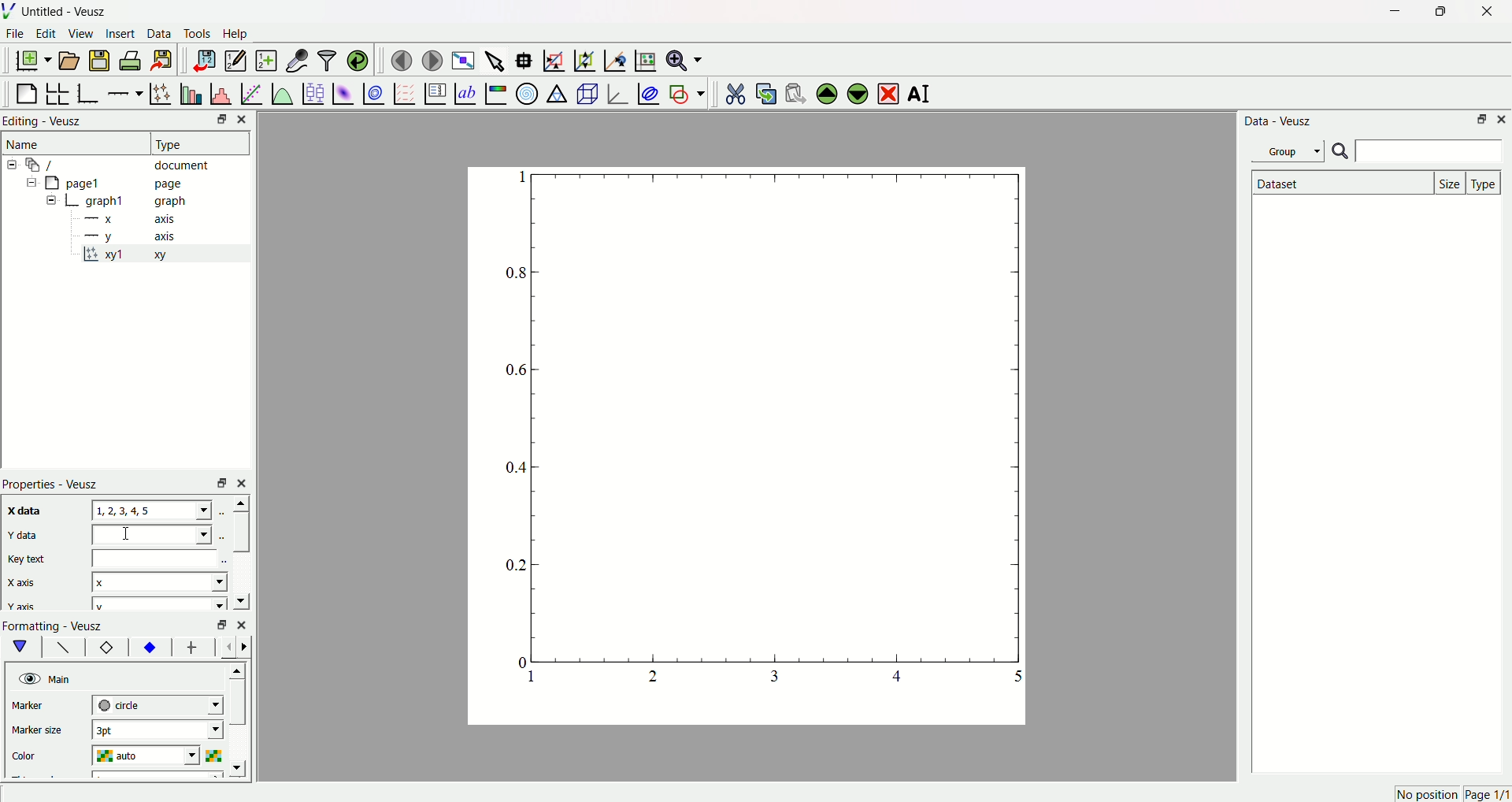 This screenshot has width=1512, height=802. I want to click on Minimize, so click(217, 121).